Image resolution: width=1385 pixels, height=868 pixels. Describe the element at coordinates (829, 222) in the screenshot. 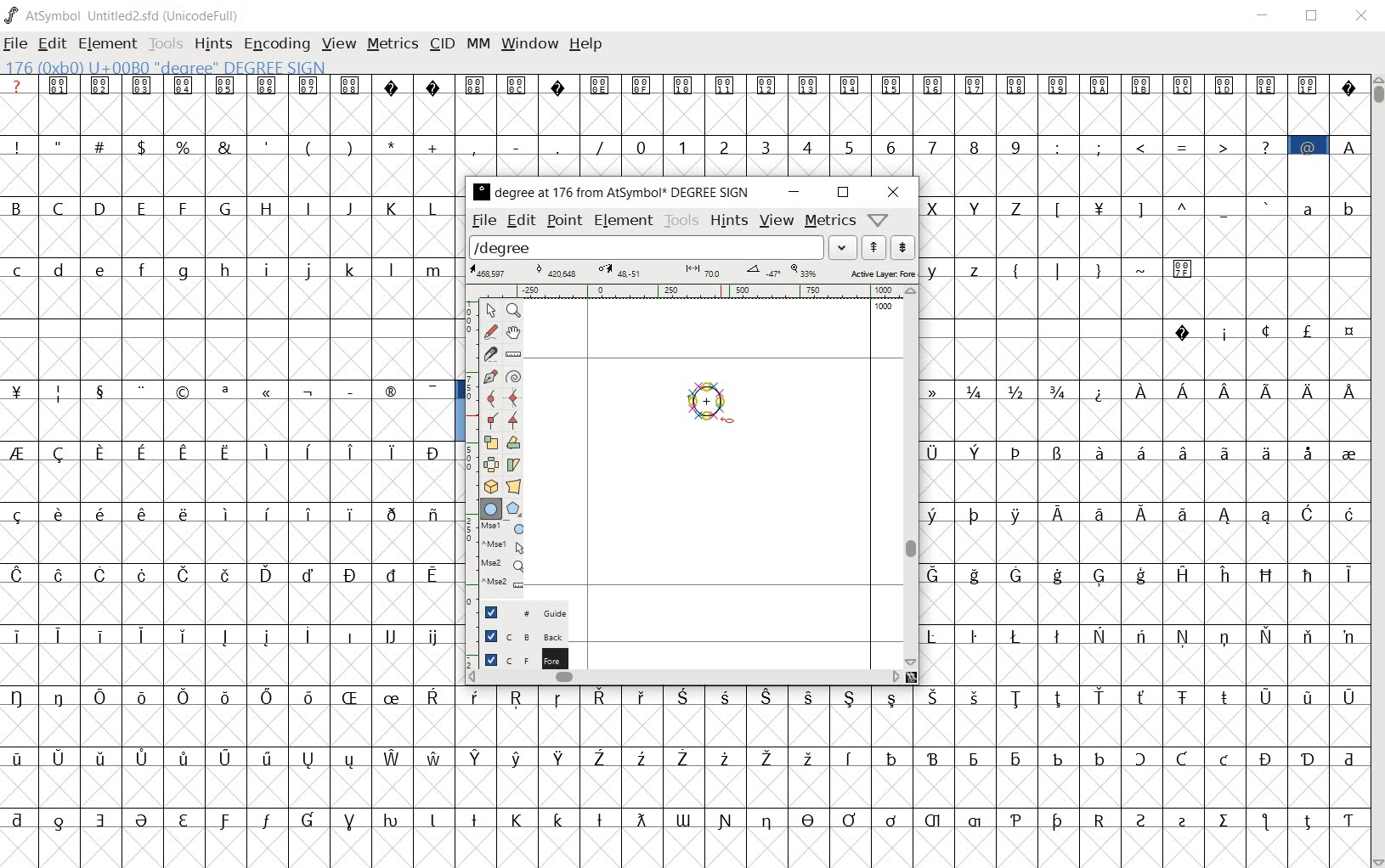

I see `metrics` at that location.